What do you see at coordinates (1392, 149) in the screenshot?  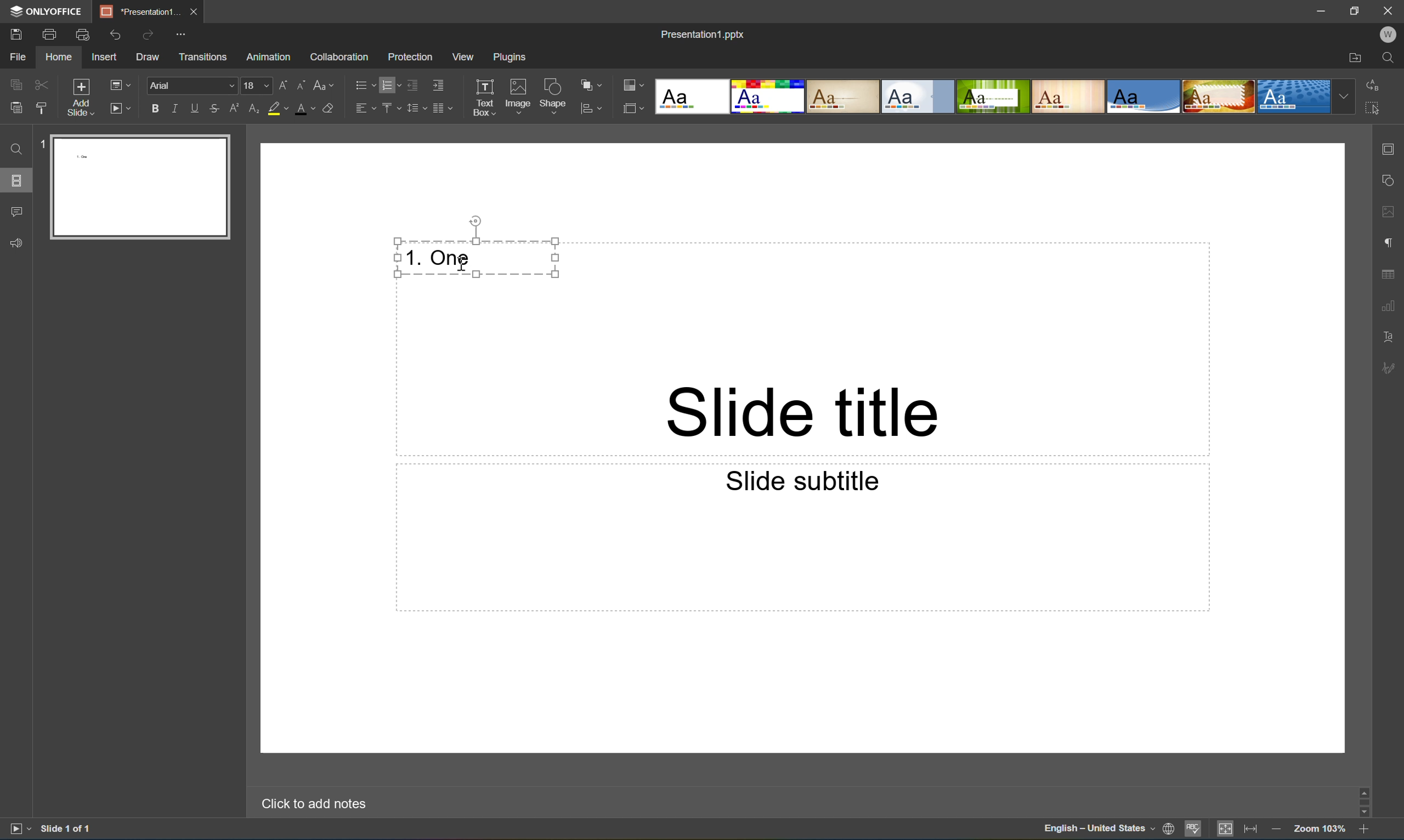 I see `Slide settings` at bounding box center [1392, 149].